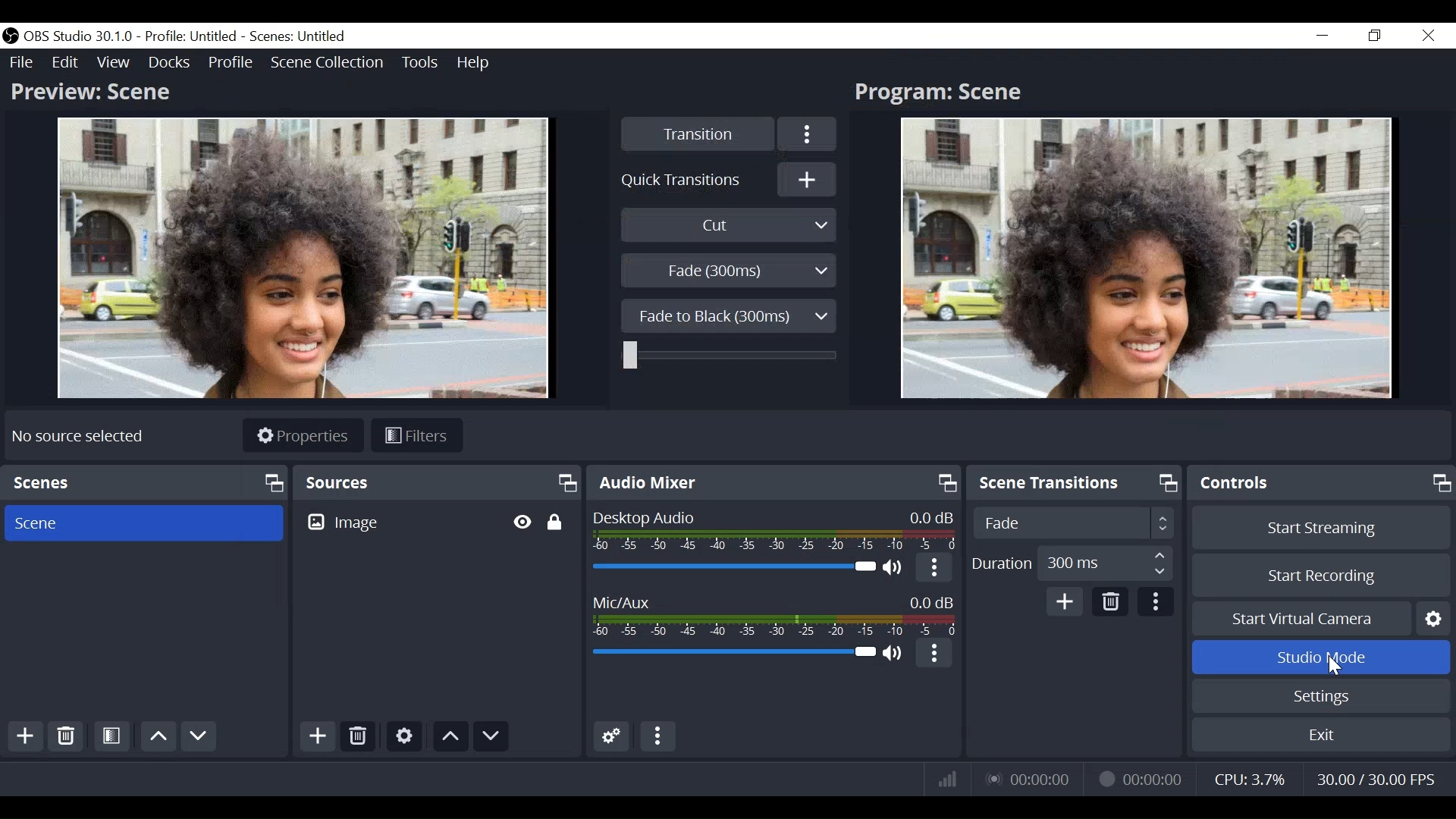  Describe the element at coordinates (65, 61) in the screenshot. I see `Edit` at that location.